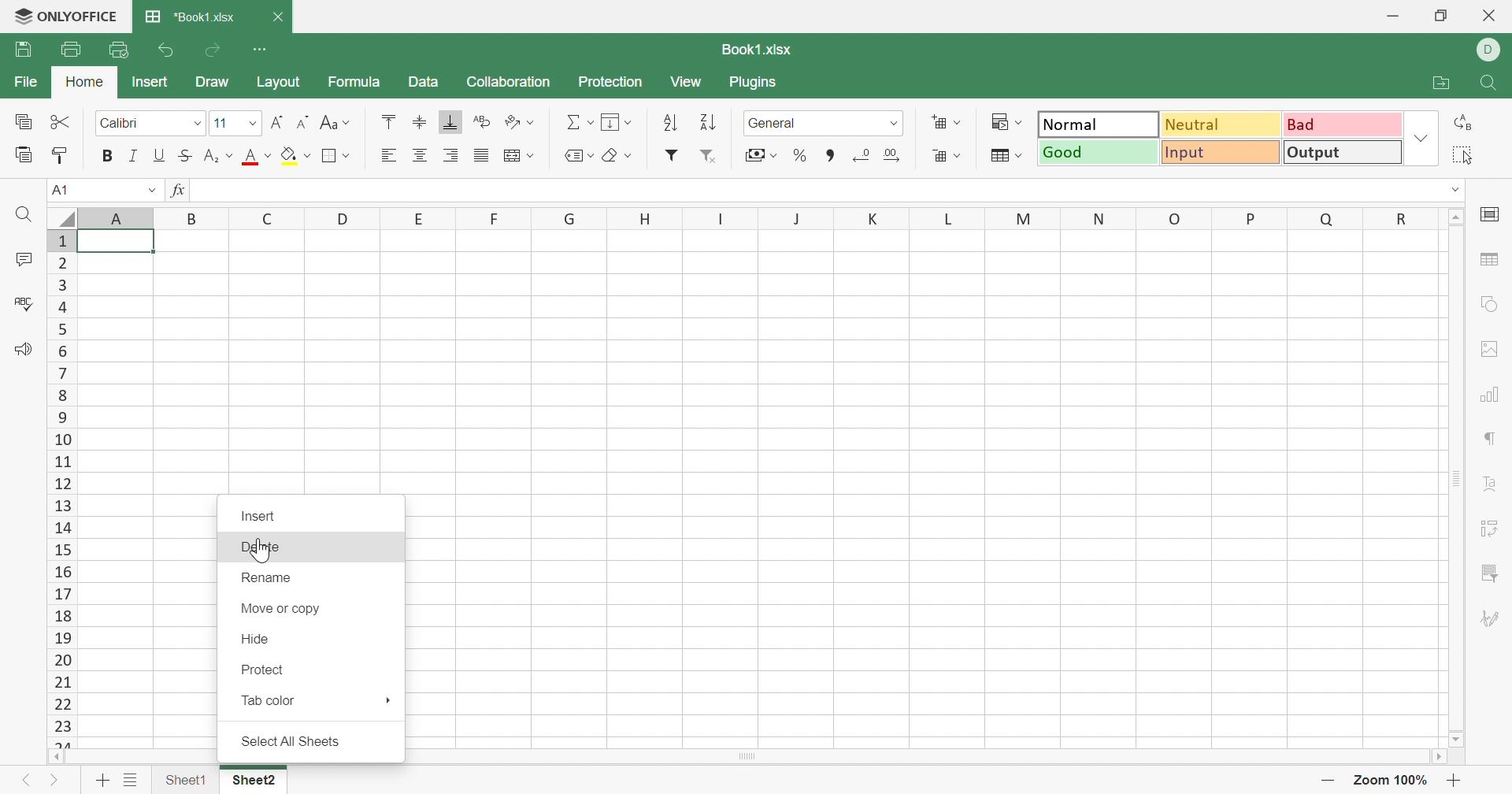 This screenshot has height=794, width=1512. What do you see at coordinates (1456, 780) in the screenshot?
I see `+` at bounding box center [1456, 780].